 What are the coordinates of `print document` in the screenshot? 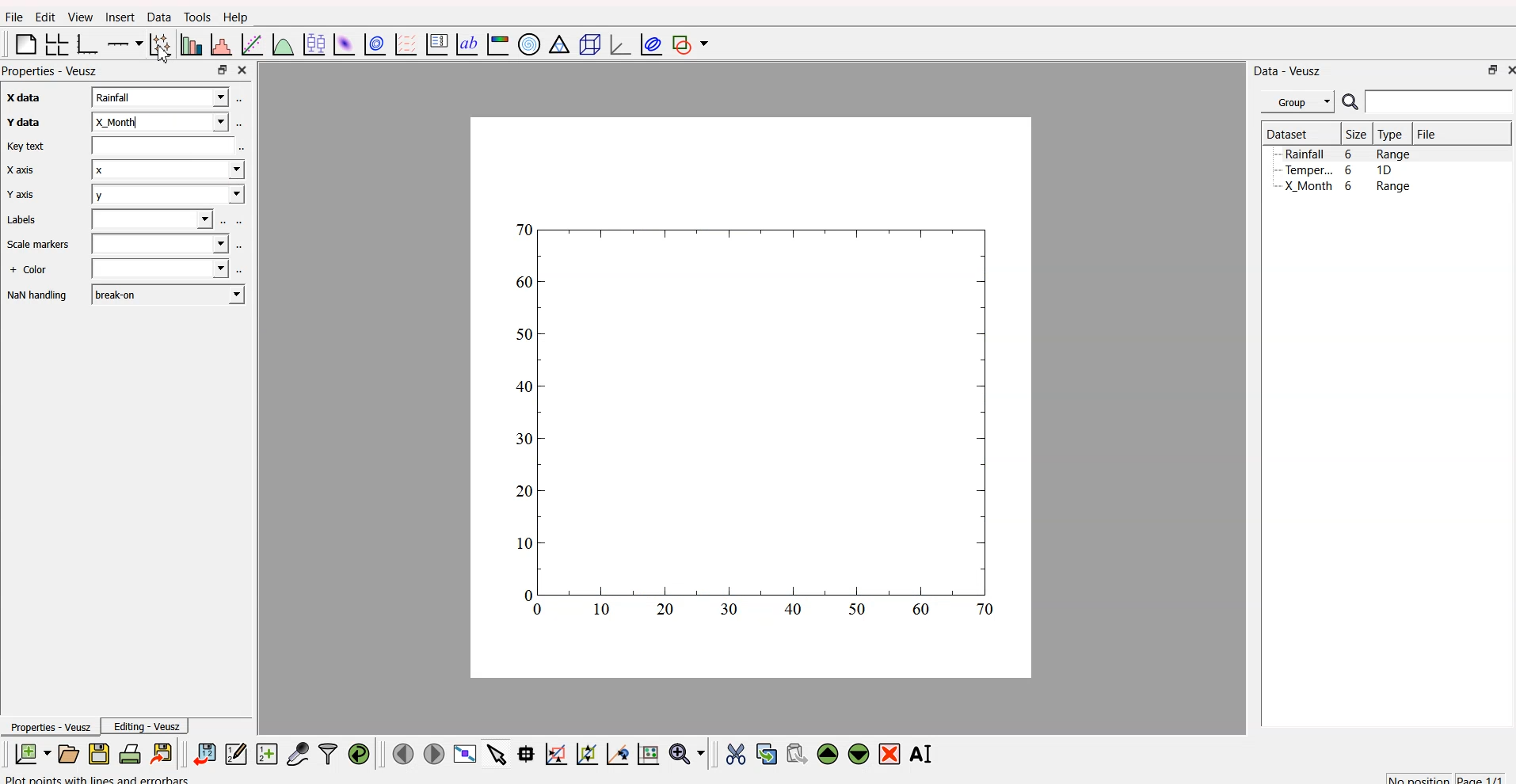 It's located at (130, 753).